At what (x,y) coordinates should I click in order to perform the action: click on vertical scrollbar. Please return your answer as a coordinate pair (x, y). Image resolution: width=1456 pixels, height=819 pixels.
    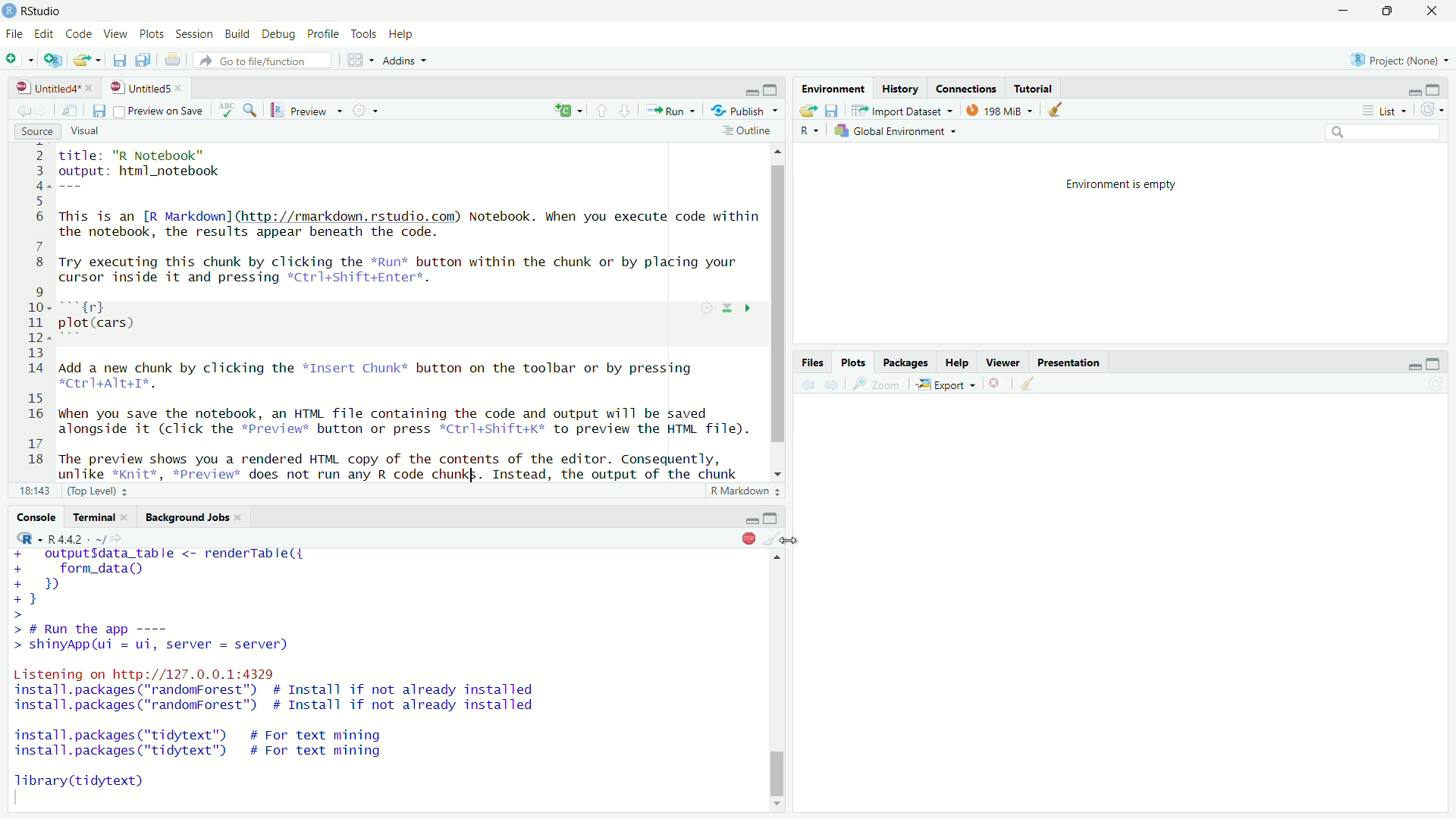
    Looking at the image, I should click on (778, 306).